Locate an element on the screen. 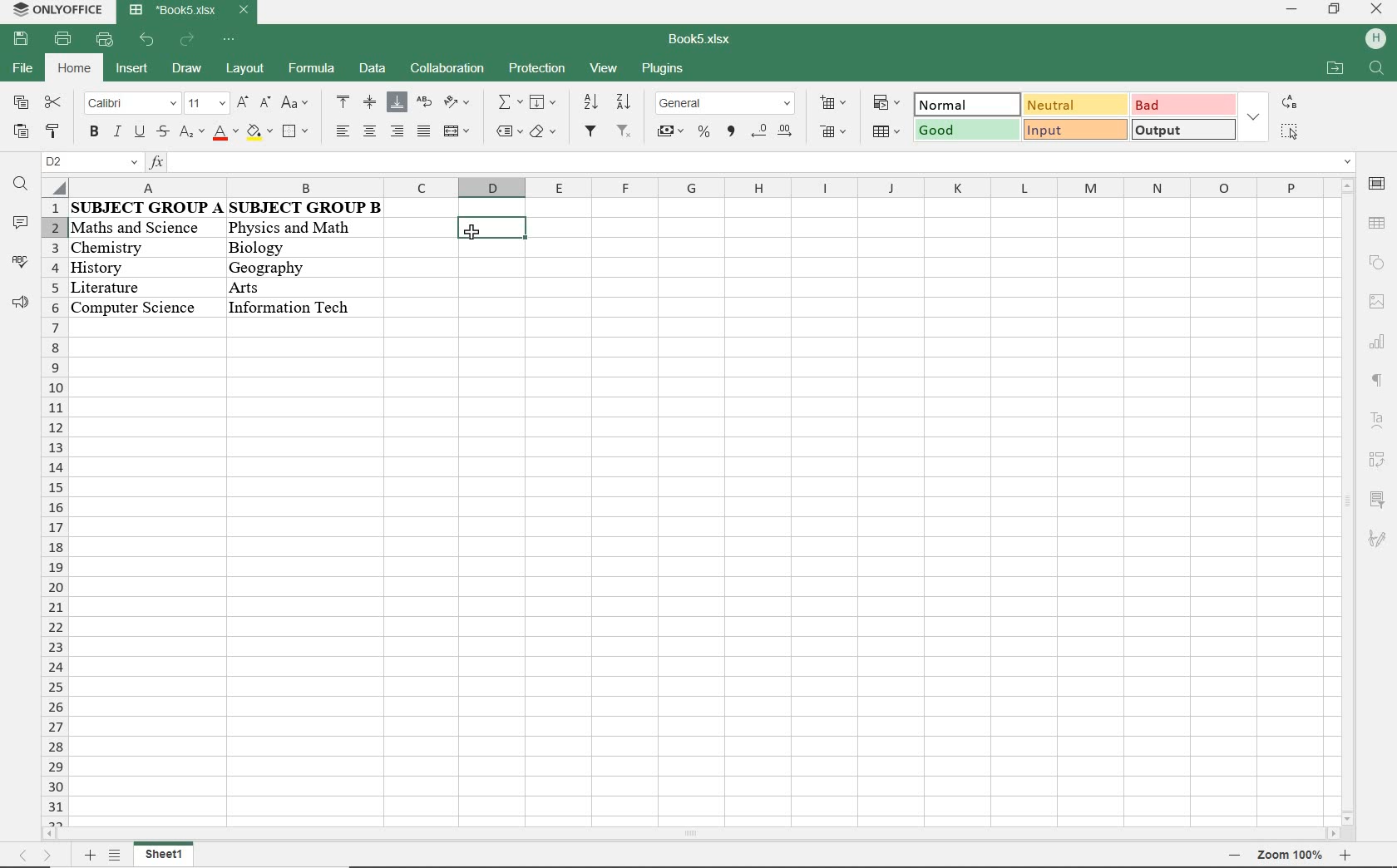 The width and height of the screenshot is (1397, 868). chemistry is located at coordinates (143, 248).